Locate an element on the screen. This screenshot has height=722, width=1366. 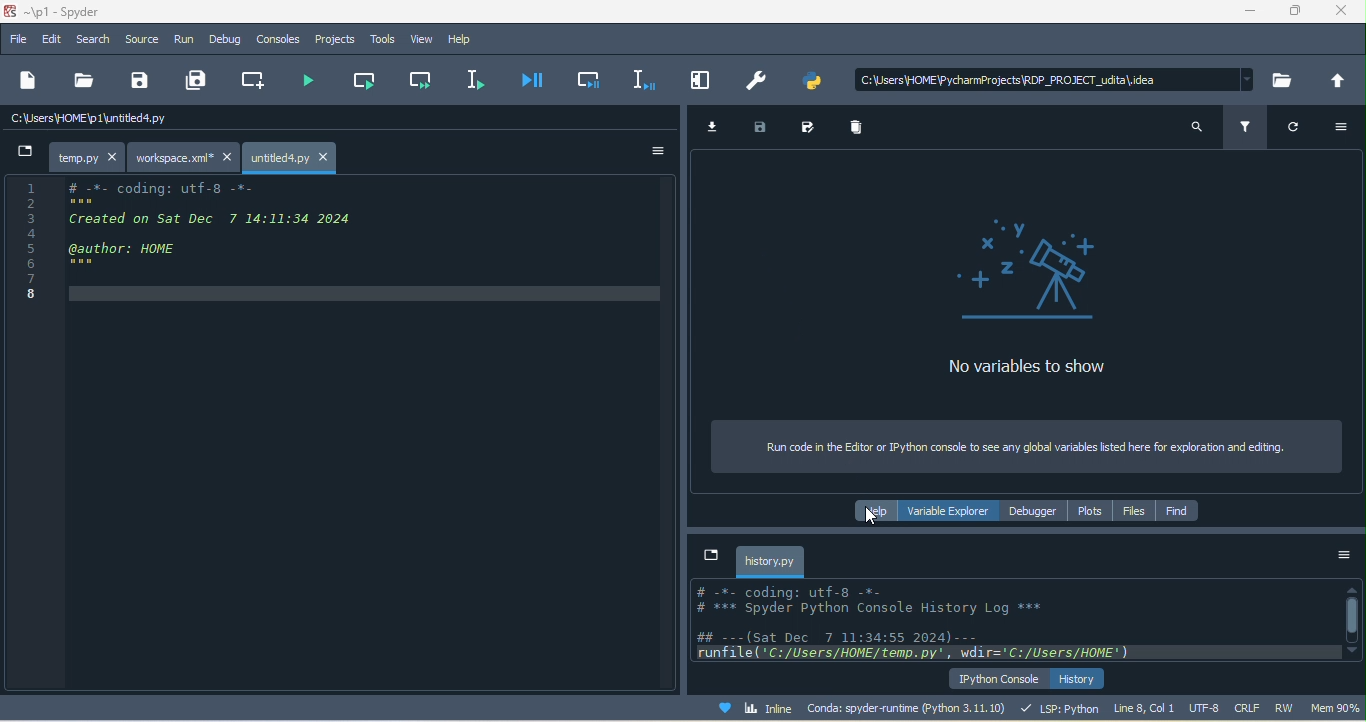
line 8 col 1 is located at coordinates (1147, 709).